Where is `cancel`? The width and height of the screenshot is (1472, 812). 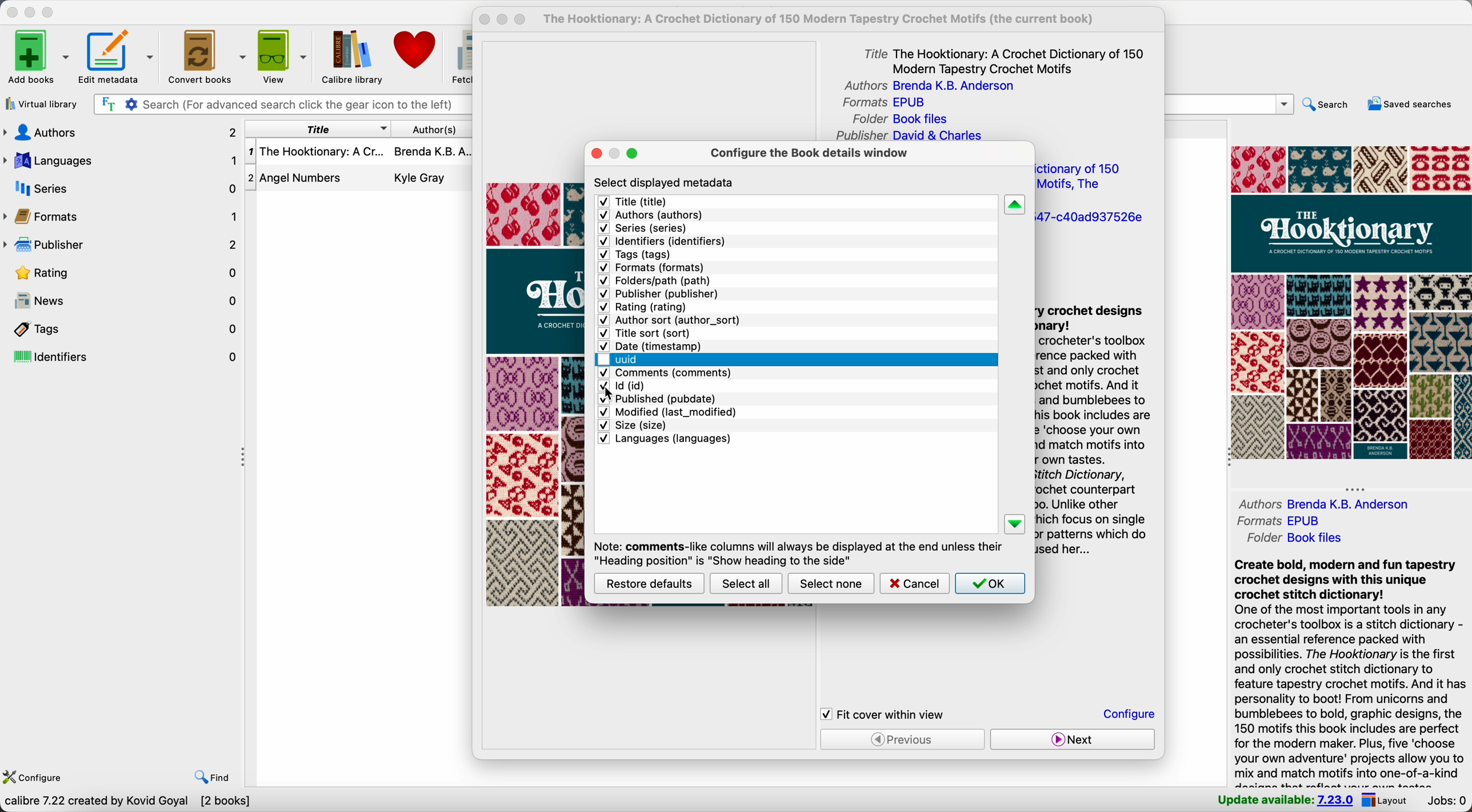 cancel is located at coordinates (914, 583).